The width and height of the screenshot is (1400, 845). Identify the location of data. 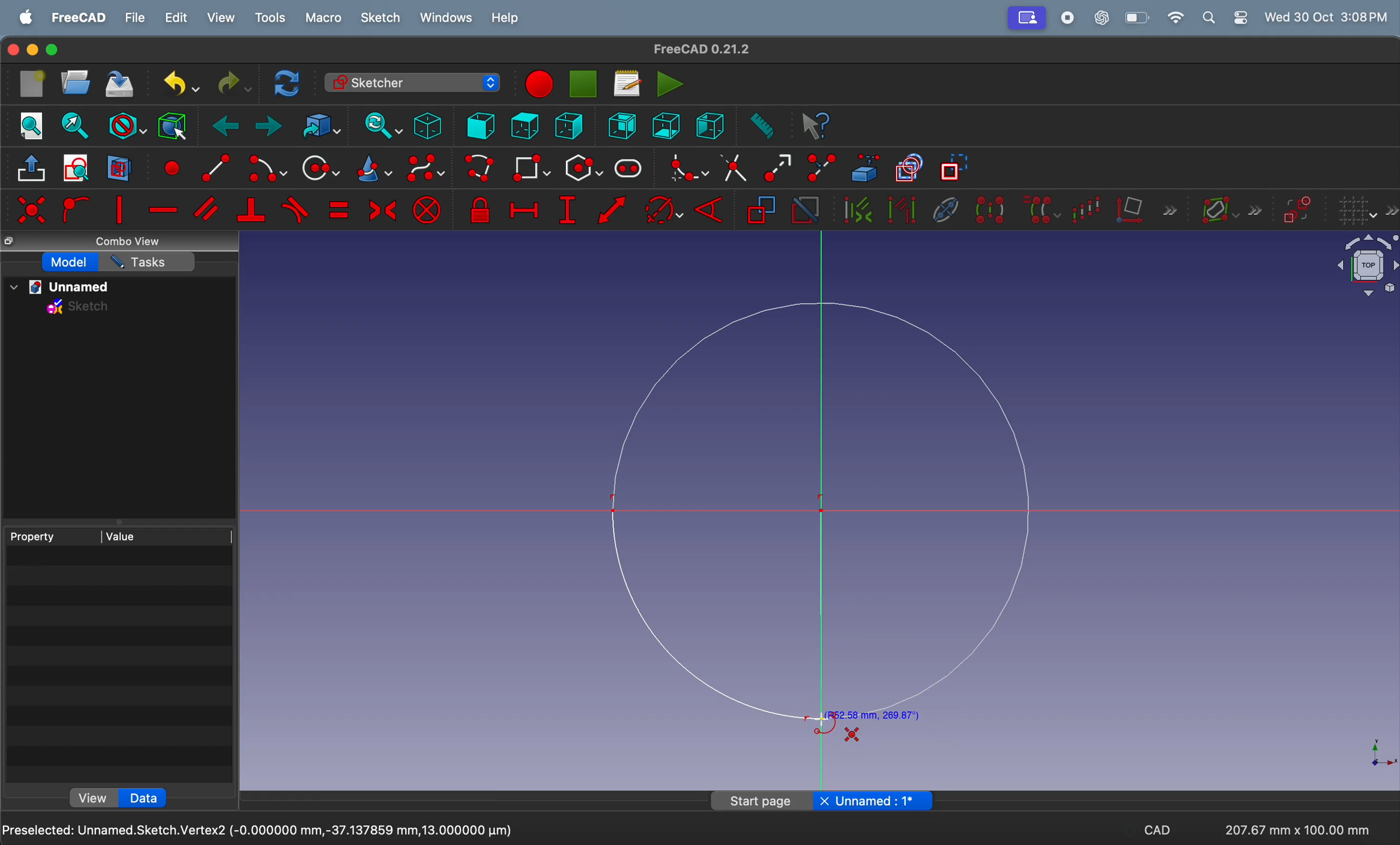
(143, 798).